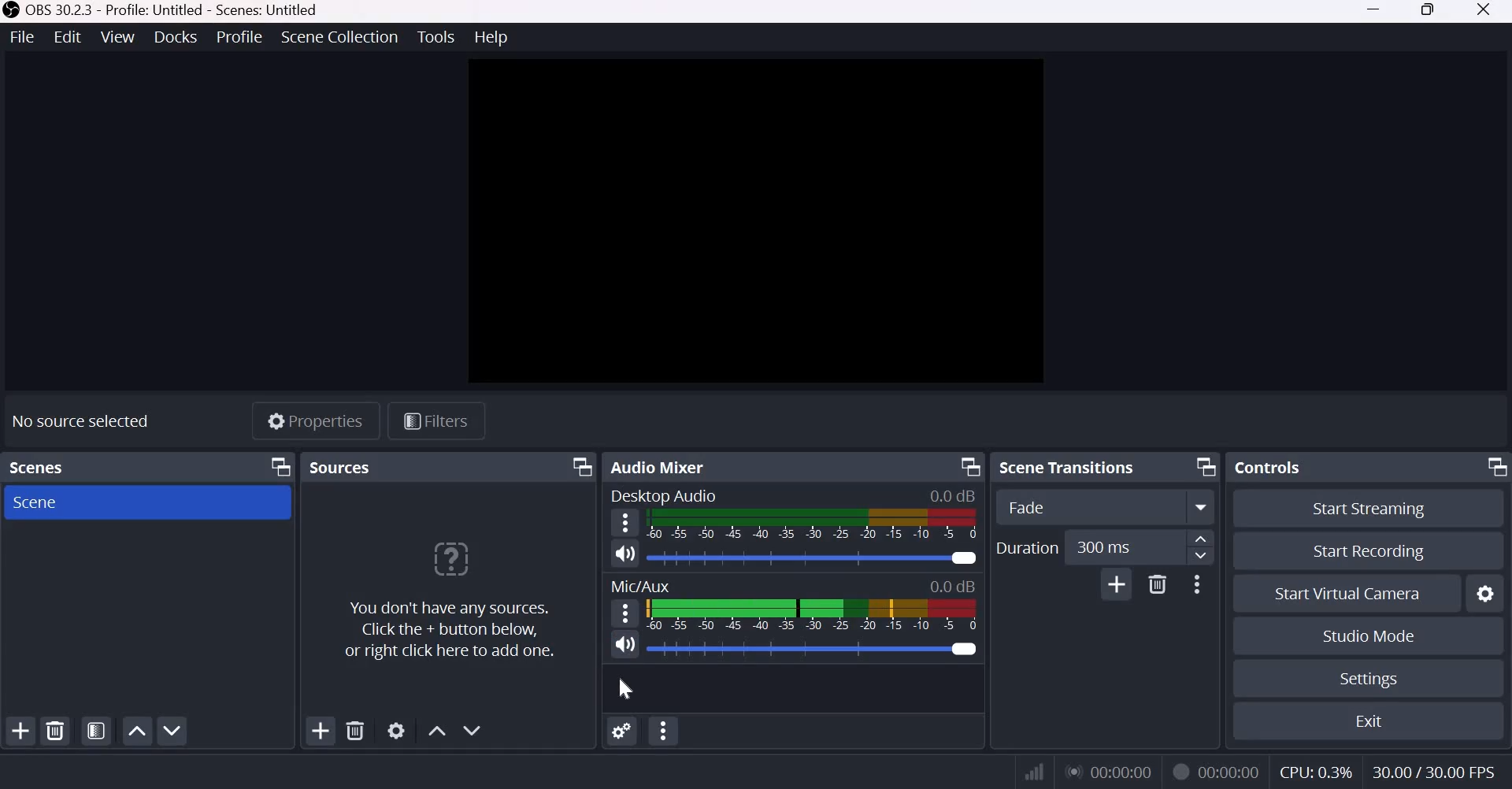 The image size is (1512, 789). What do you see at coordinates (573, 467) in the screenshot?
I see `Dock Options icon` at bounding box center [573, 467].